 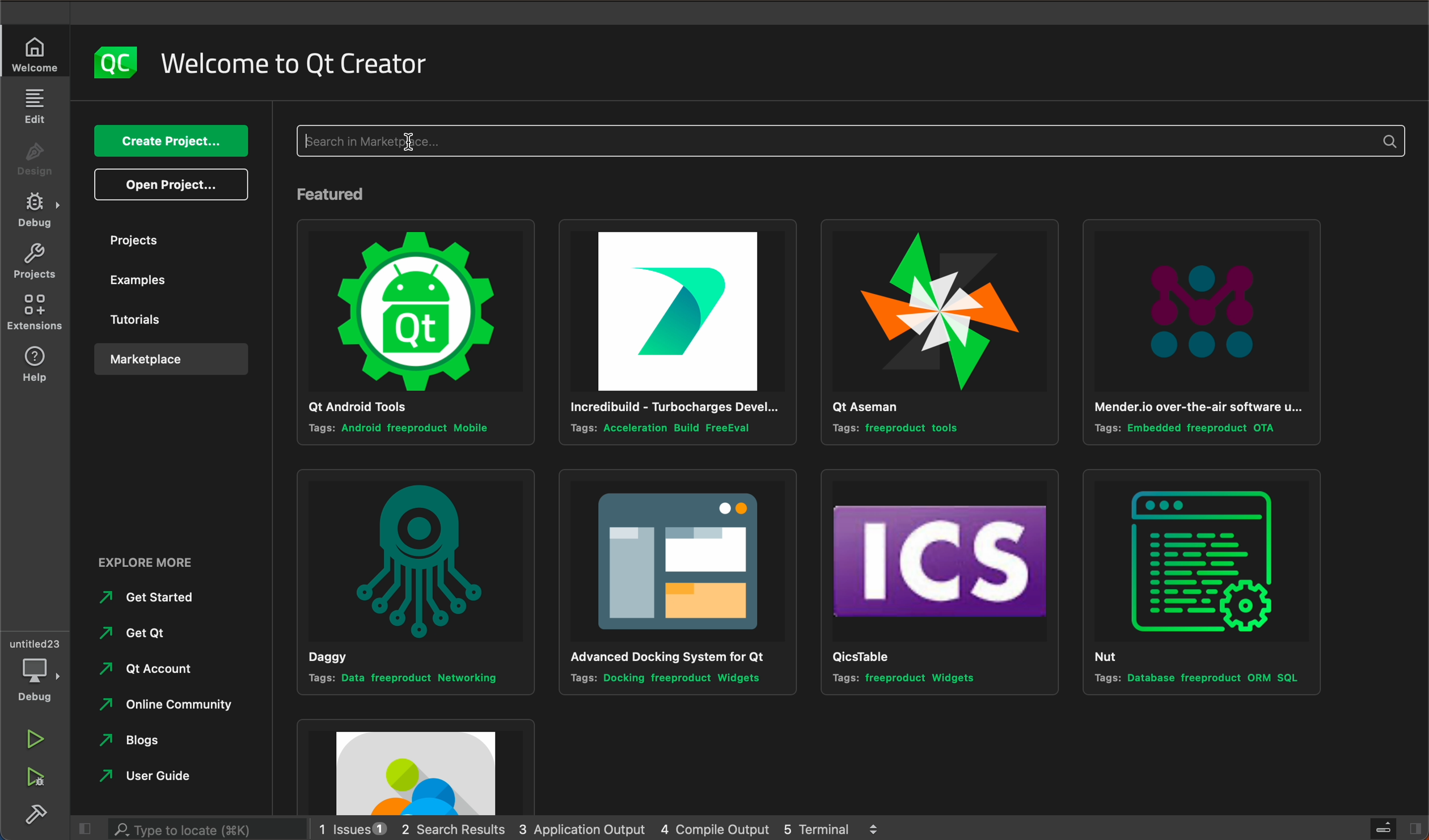 What do you see at coordinates (936, 333) in the screenshot?
I see `` at bounding box center [936, 333].